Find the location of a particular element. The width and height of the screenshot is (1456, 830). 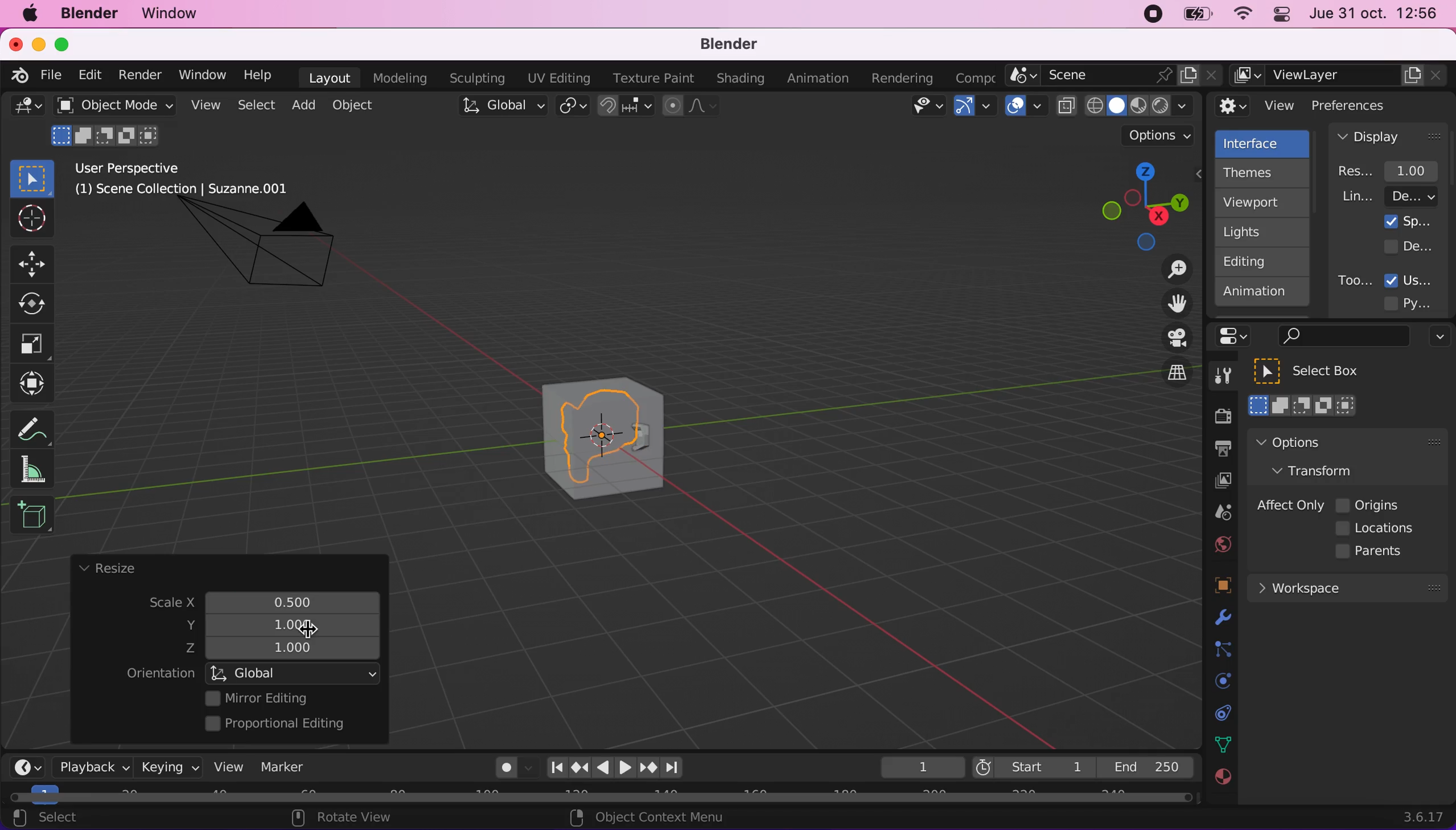

start 1 is located at coordinates (1032, 767).